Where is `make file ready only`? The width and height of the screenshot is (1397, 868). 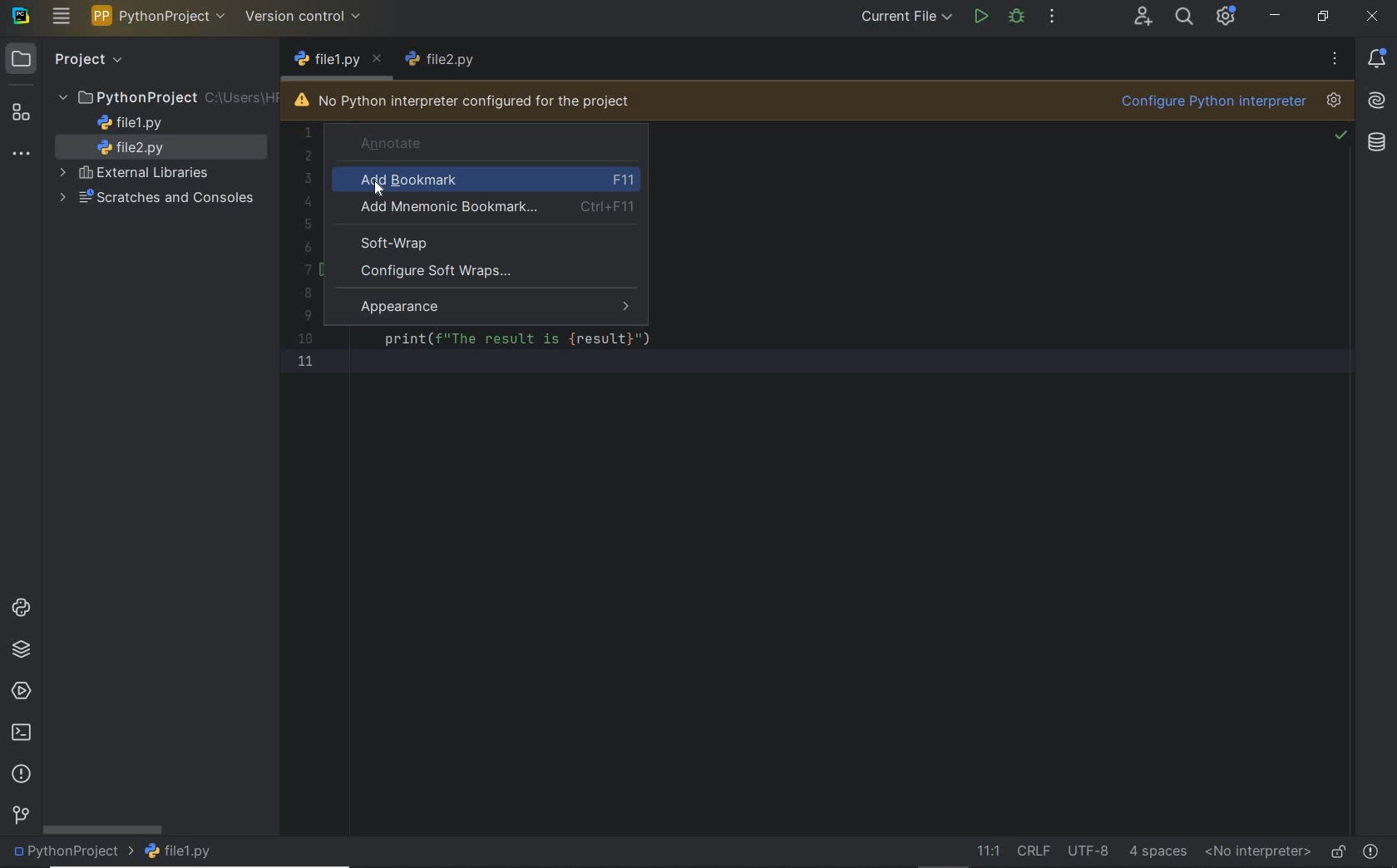 make file ready only is located at coordinates (1335, 850).